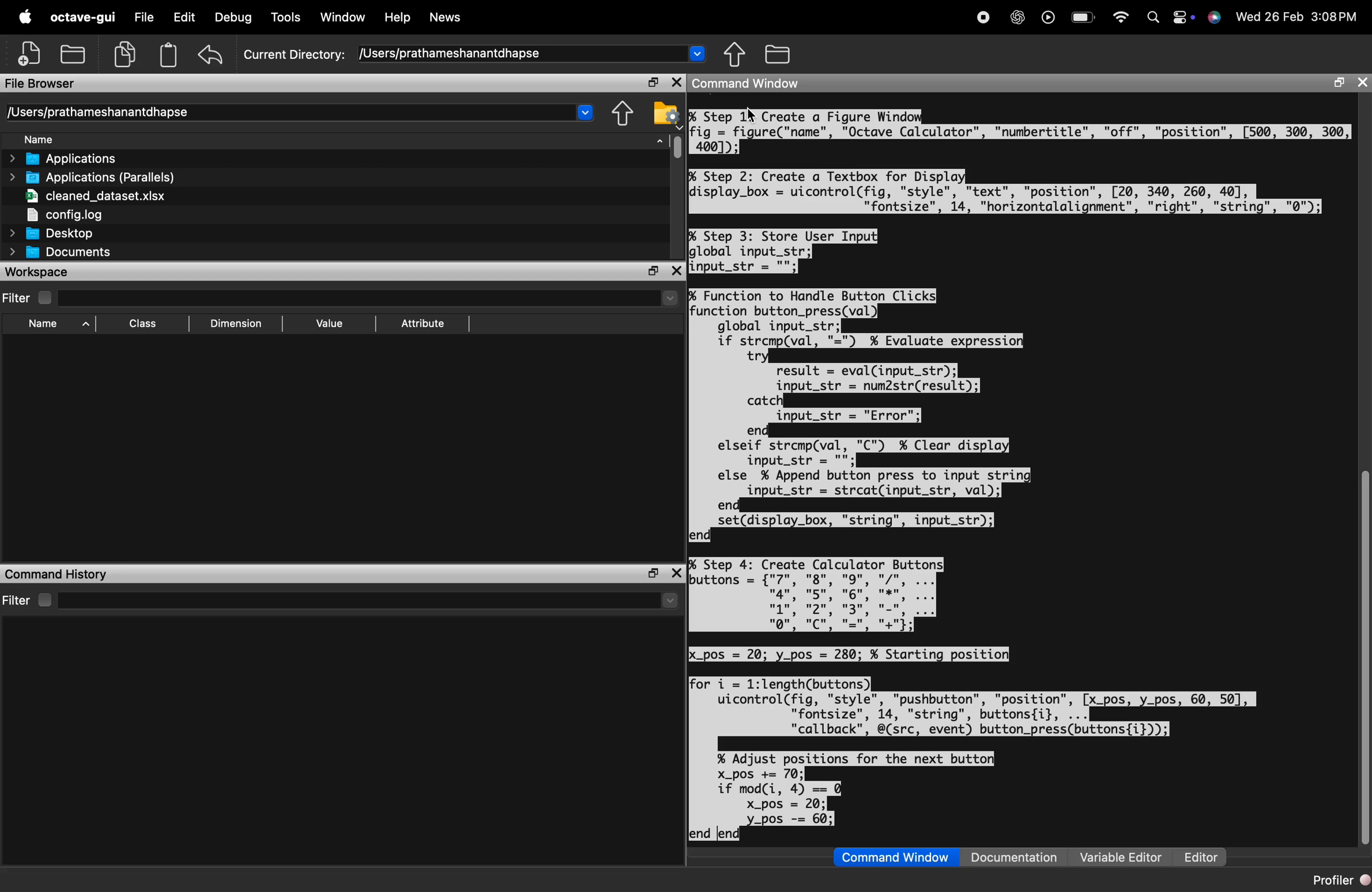  I want to click on undo, so click(211, 55).